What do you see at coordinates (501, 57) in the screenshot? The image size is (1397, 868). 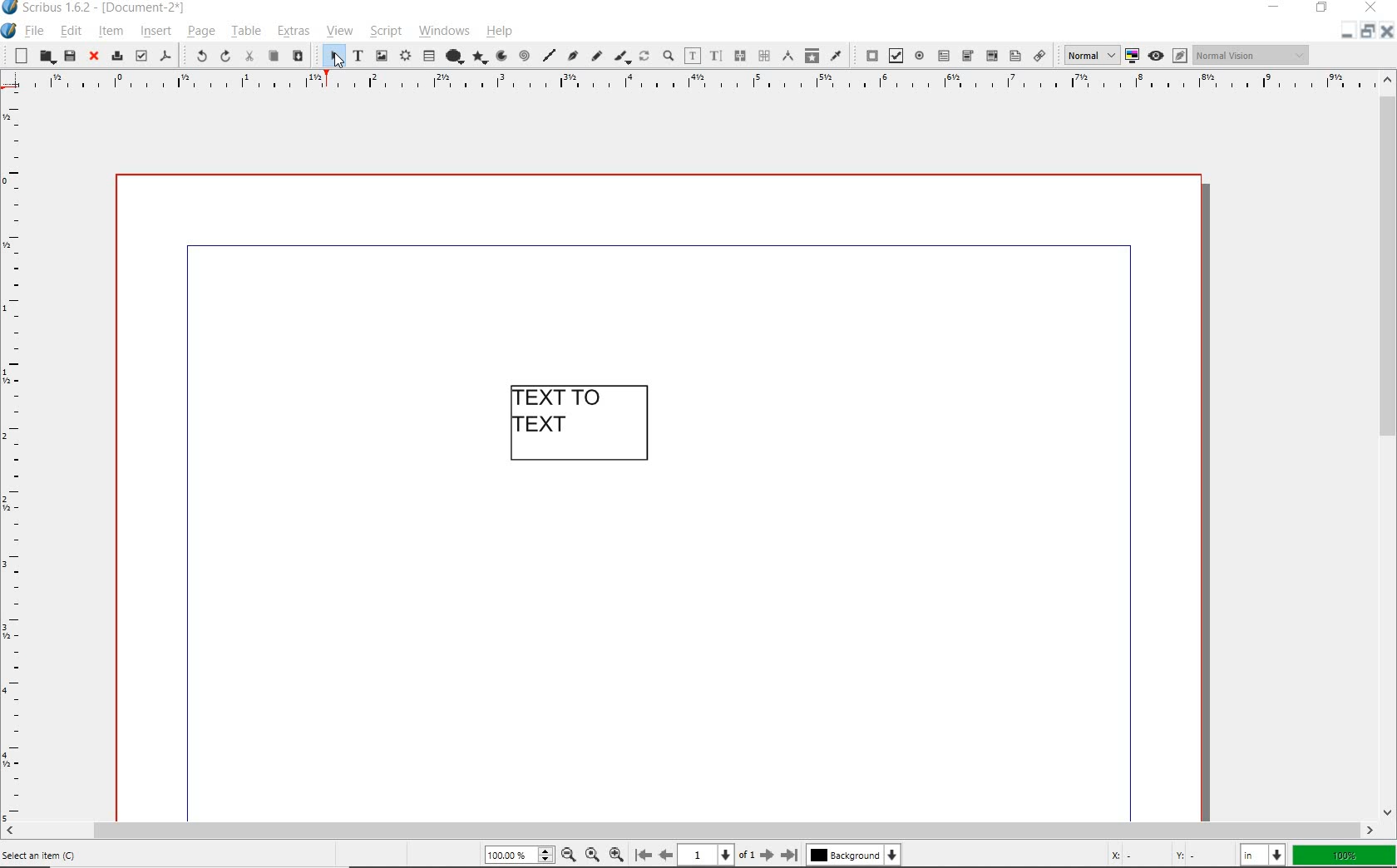 I see `arc` at bounding box center [501, 57].